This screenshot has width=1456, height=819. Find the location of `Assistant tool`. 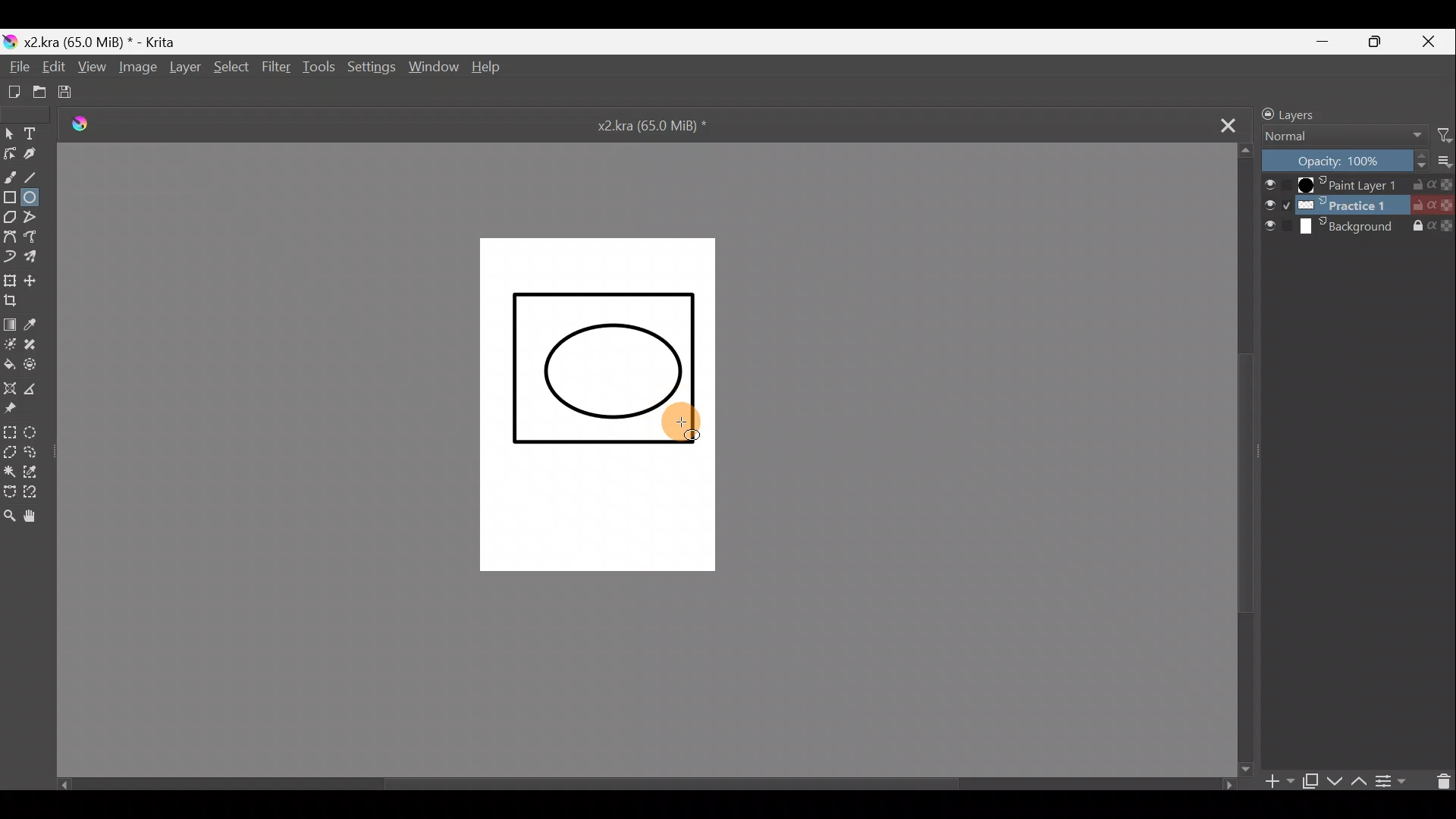

Assistant tool is located at coordinates (11, 386).